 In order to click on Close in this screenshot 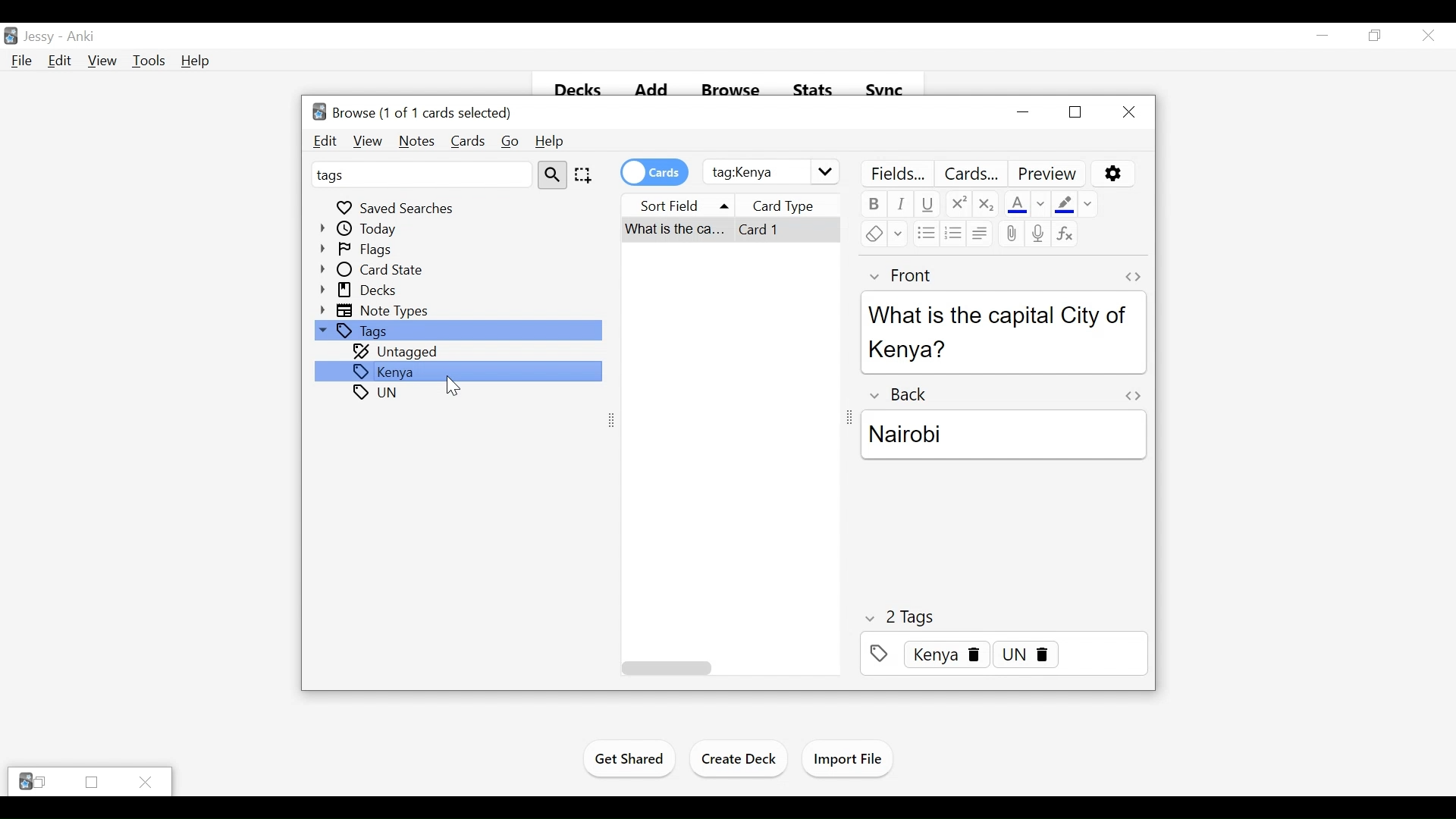, I will do `click(1128, 111)`.